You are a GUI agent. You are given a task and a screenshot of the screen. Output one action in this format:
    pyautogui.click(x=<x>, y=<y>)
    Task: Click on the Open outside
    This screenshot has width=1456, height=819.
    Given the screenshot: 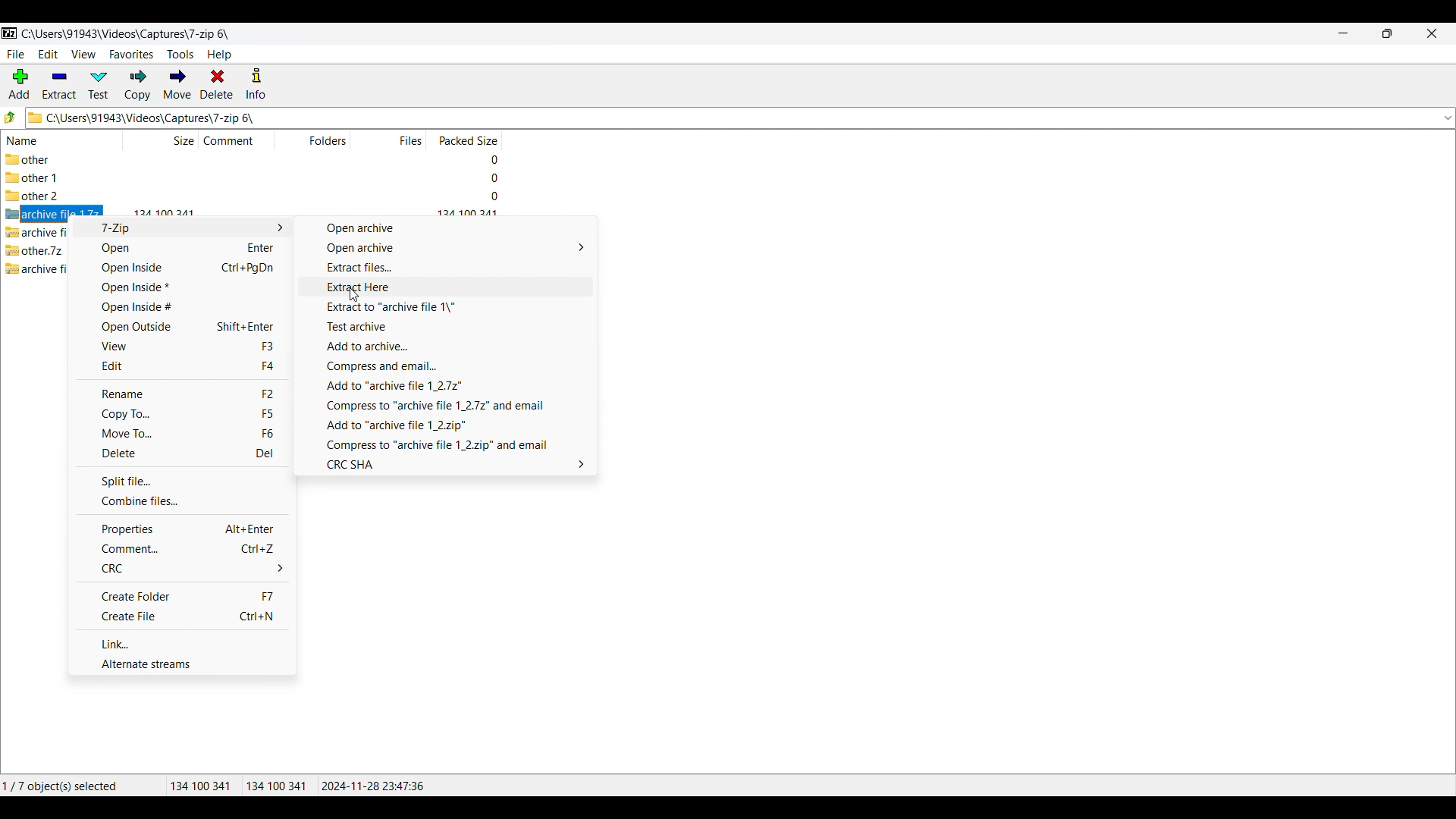 What is the action you would take?
    pyautogui.click(x=180, y=327)
    